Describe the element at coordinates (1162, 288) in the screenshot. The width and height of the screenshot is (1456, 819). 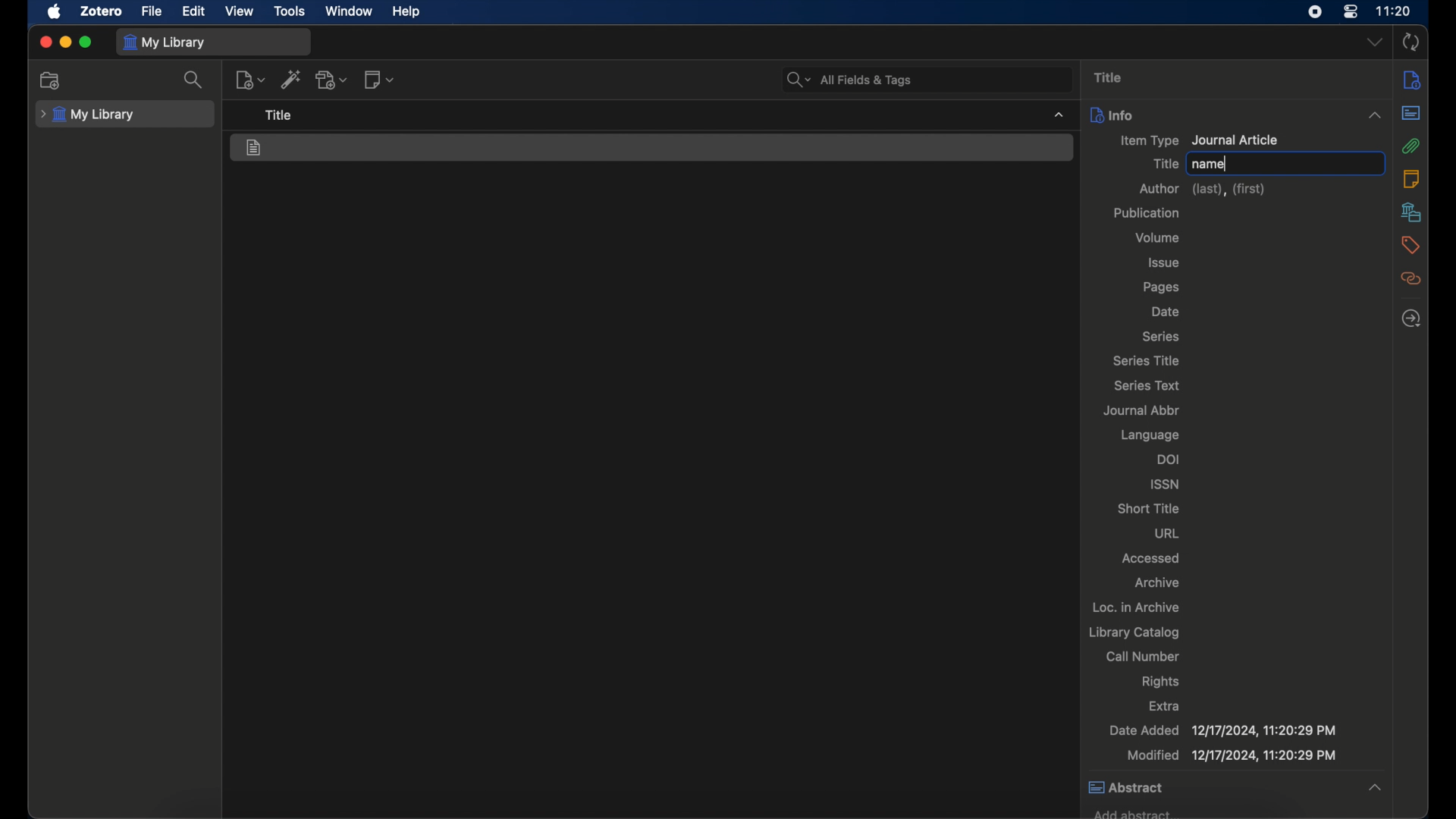
I see `pages` at that location.